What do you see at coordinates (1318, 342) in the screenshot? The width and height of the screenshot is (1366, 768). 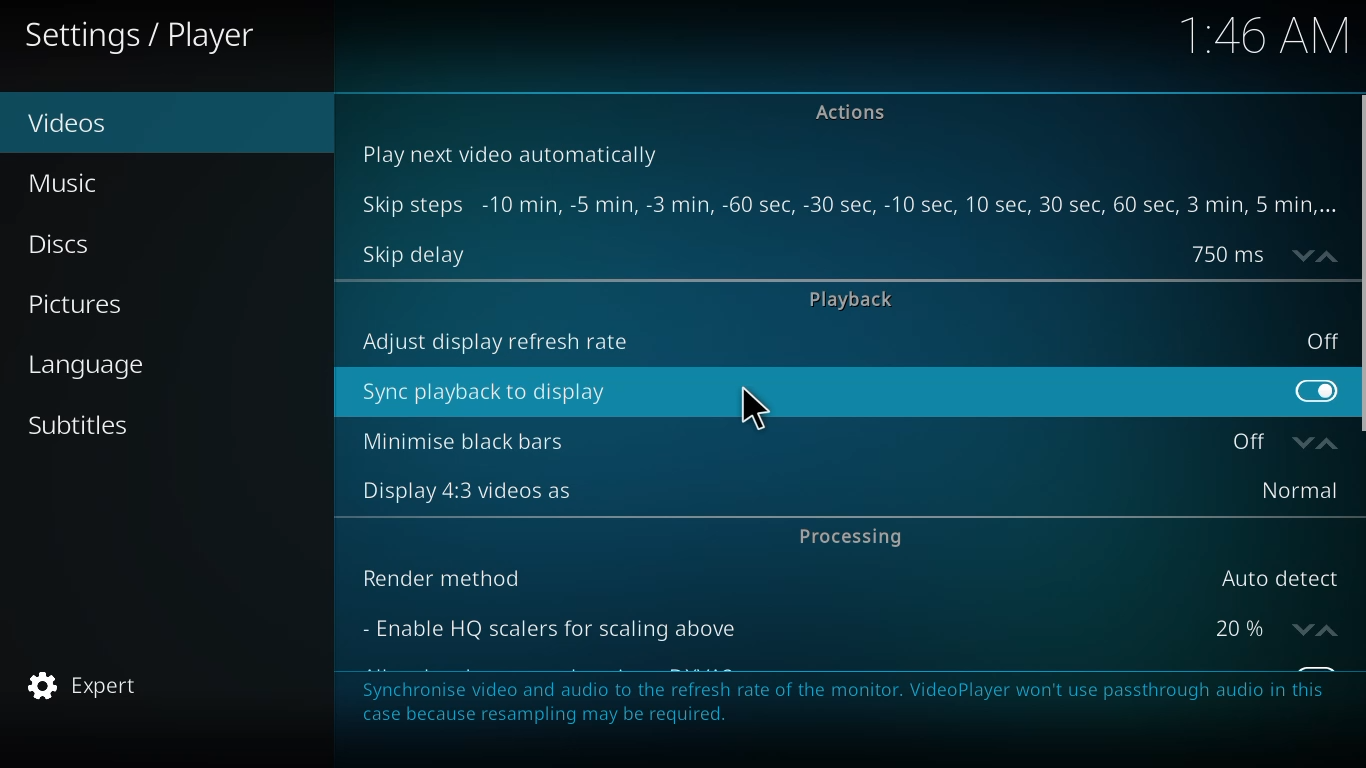 I see `off` at bounding box center [1318, 342].